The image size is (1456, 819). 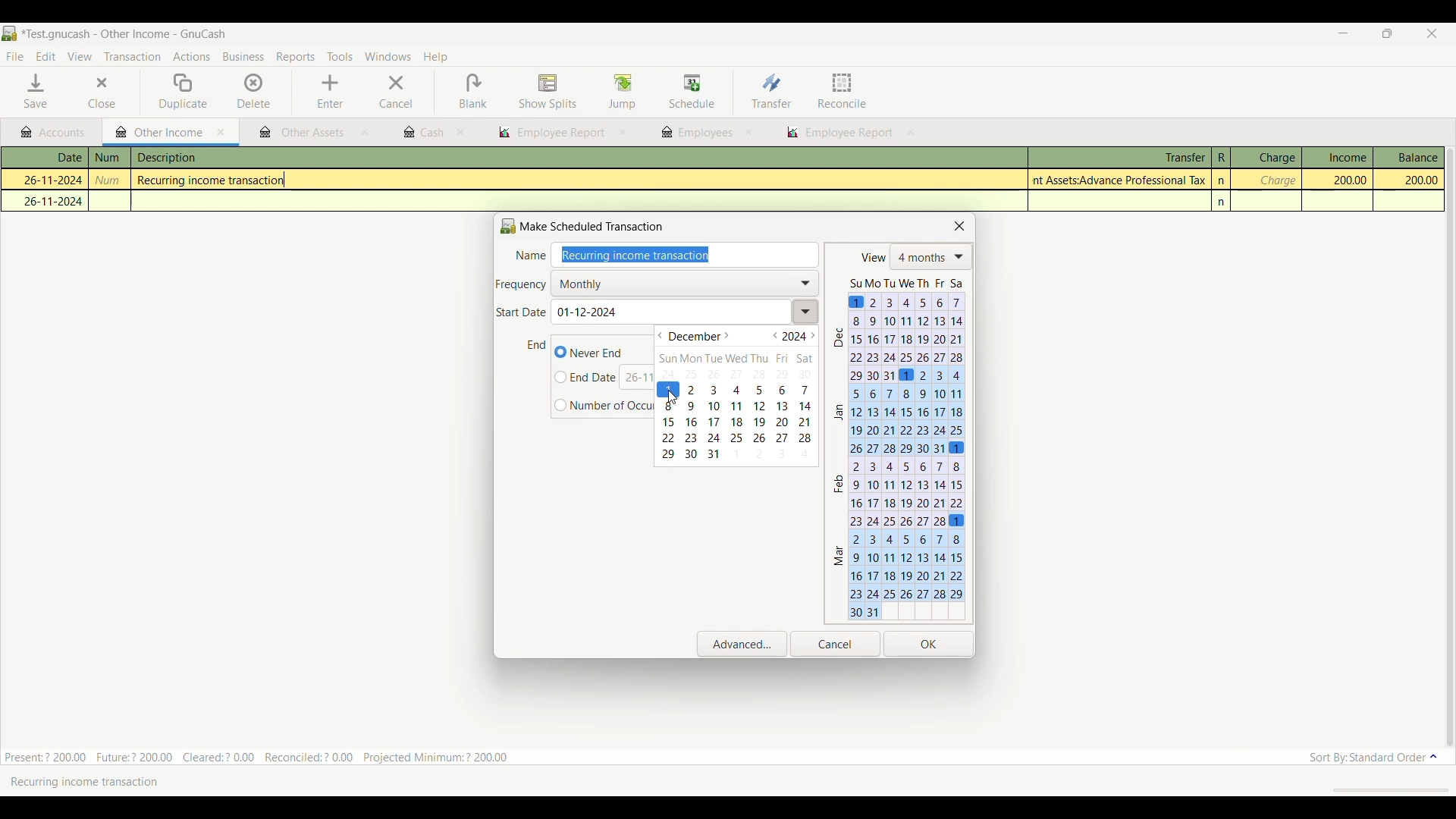 What do you see at coordinates (522, 285) in the screenshot?
I see `Indicates frequency of transaction` at bounding box center [522, 285].